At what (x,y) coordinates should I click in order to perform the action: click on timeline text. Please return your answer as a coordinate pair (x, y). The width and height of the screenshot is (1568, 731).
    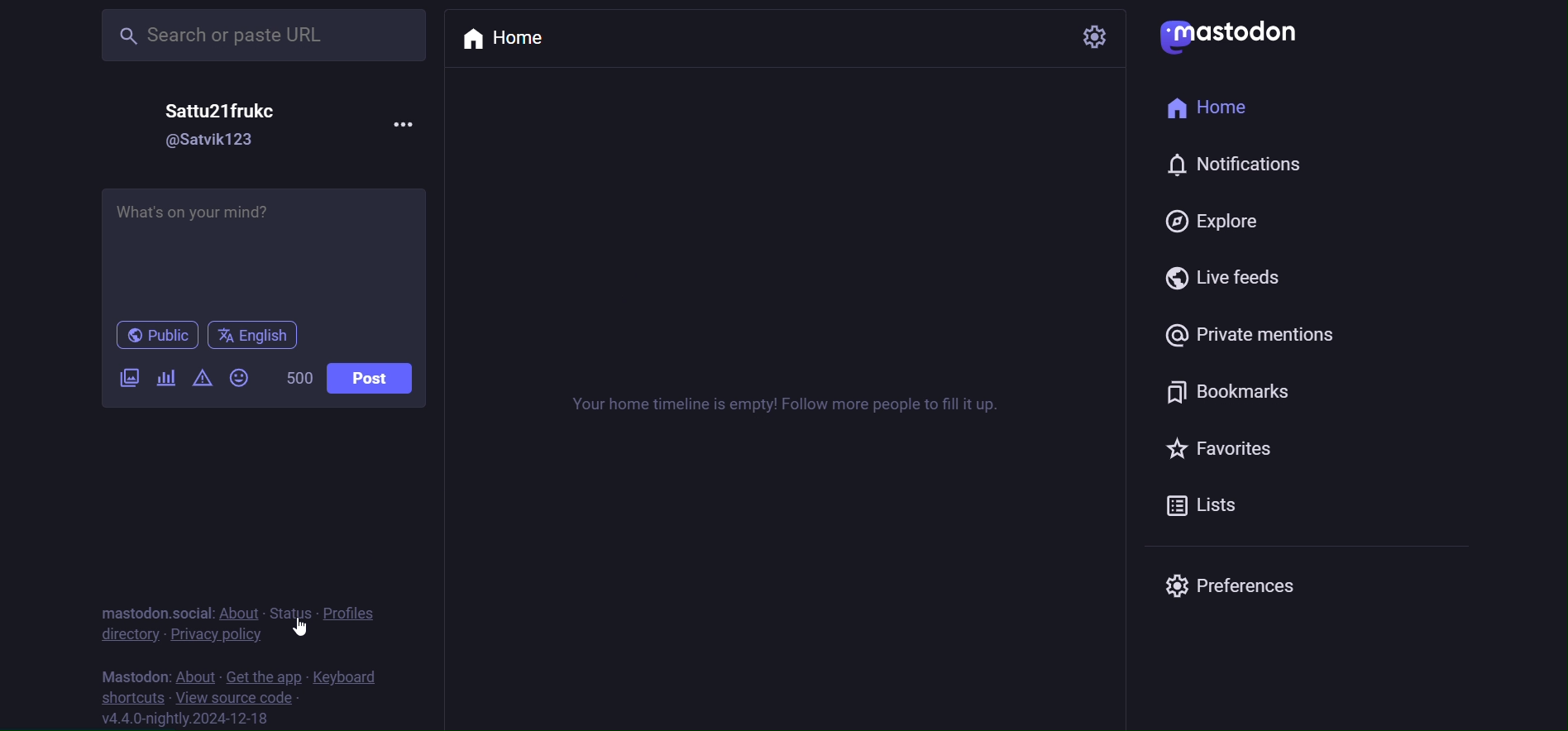
    Looking at the image, I should click on (791, 403).